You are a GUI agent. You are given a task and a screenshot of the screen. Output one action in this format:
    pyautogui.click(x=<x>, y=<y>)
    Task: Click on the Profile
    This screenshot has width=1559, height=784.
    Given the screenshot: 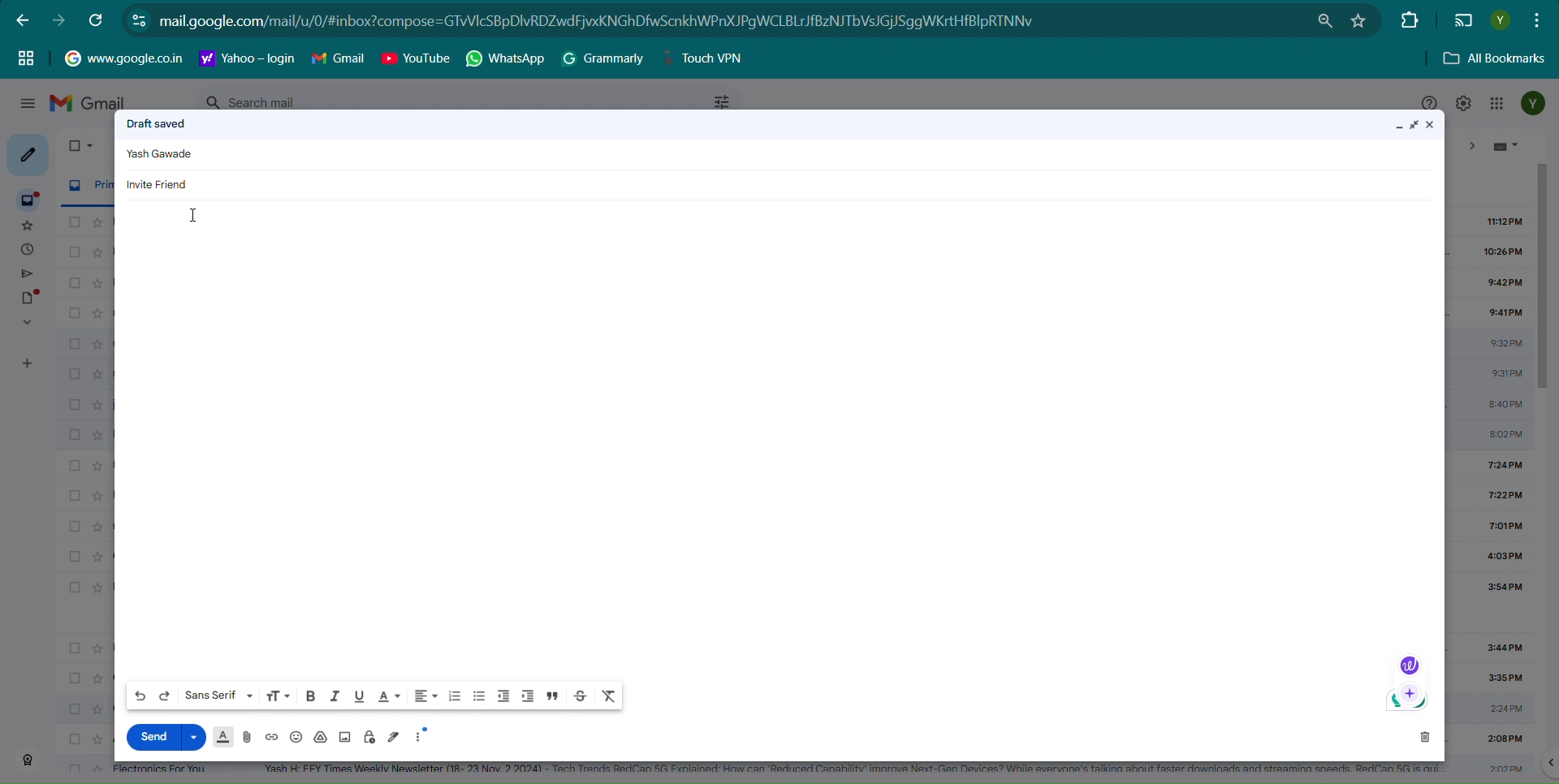 What is the action you would take?
    pyautogui.click(x=1500, y=20)
    